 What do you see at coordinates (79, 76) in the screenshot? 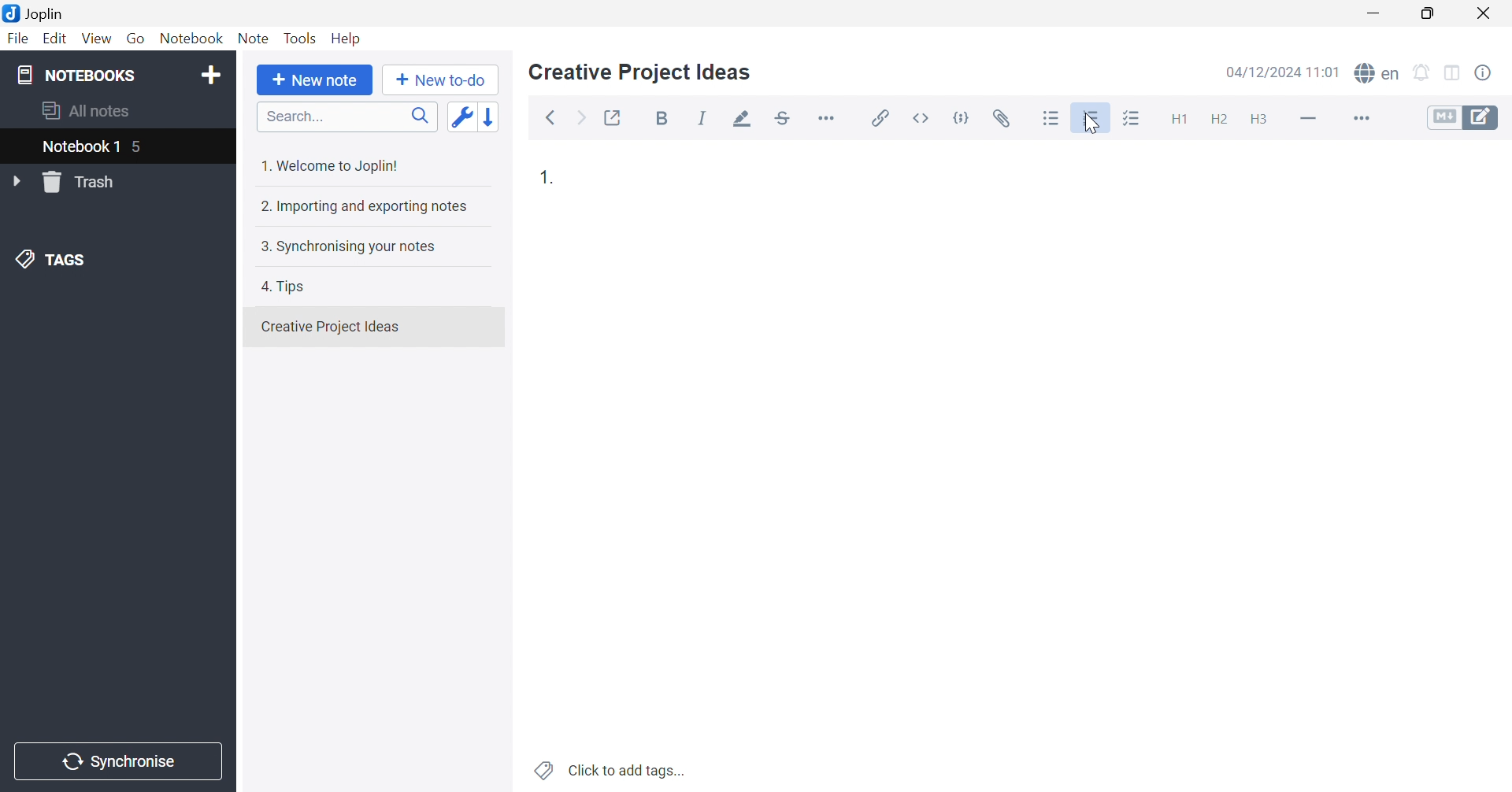
I see `NOTEBOOKS` at bounding box center [79, 76].